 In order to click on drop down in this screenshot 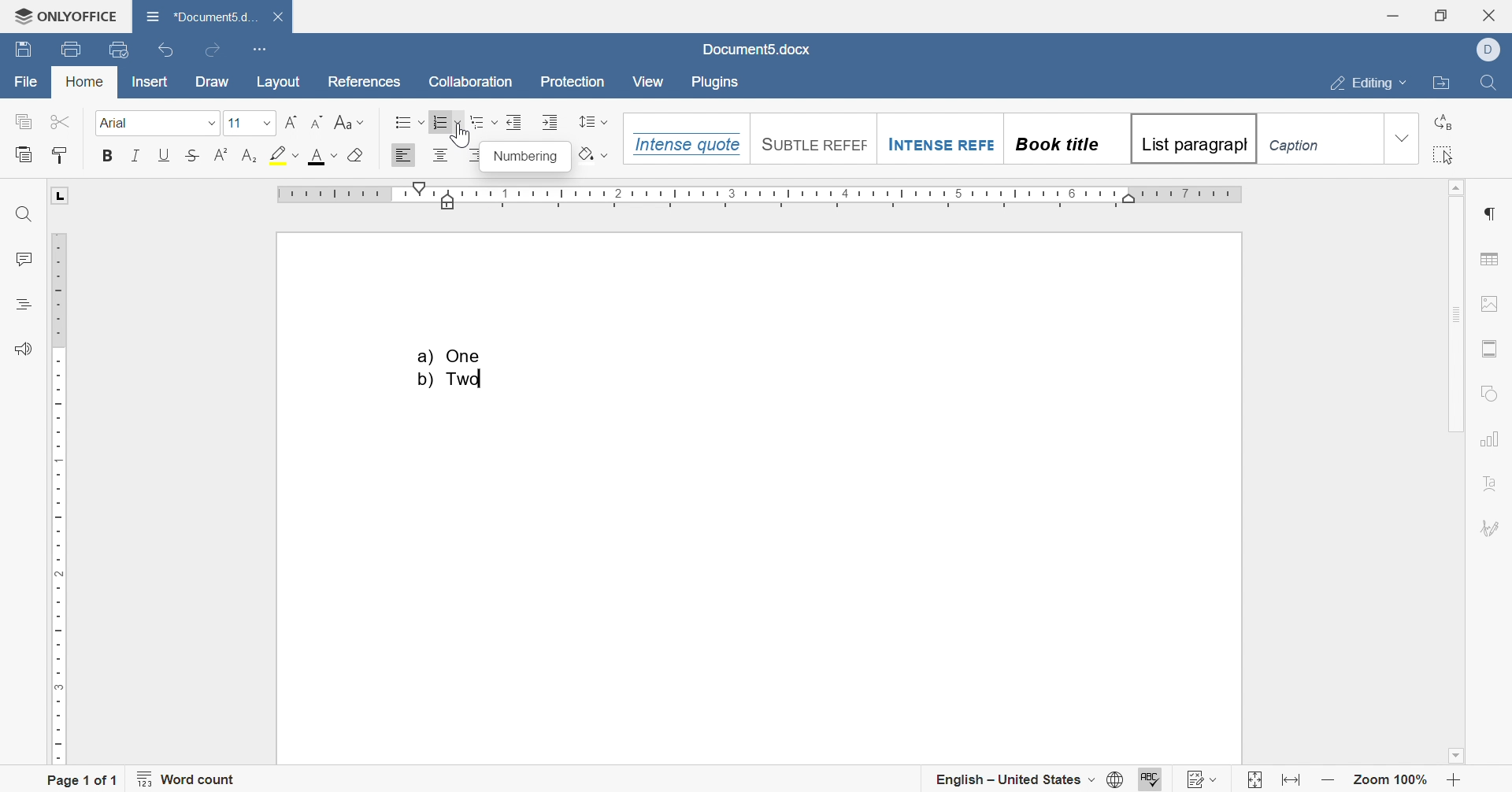, I will do `click(1403, 138)`.